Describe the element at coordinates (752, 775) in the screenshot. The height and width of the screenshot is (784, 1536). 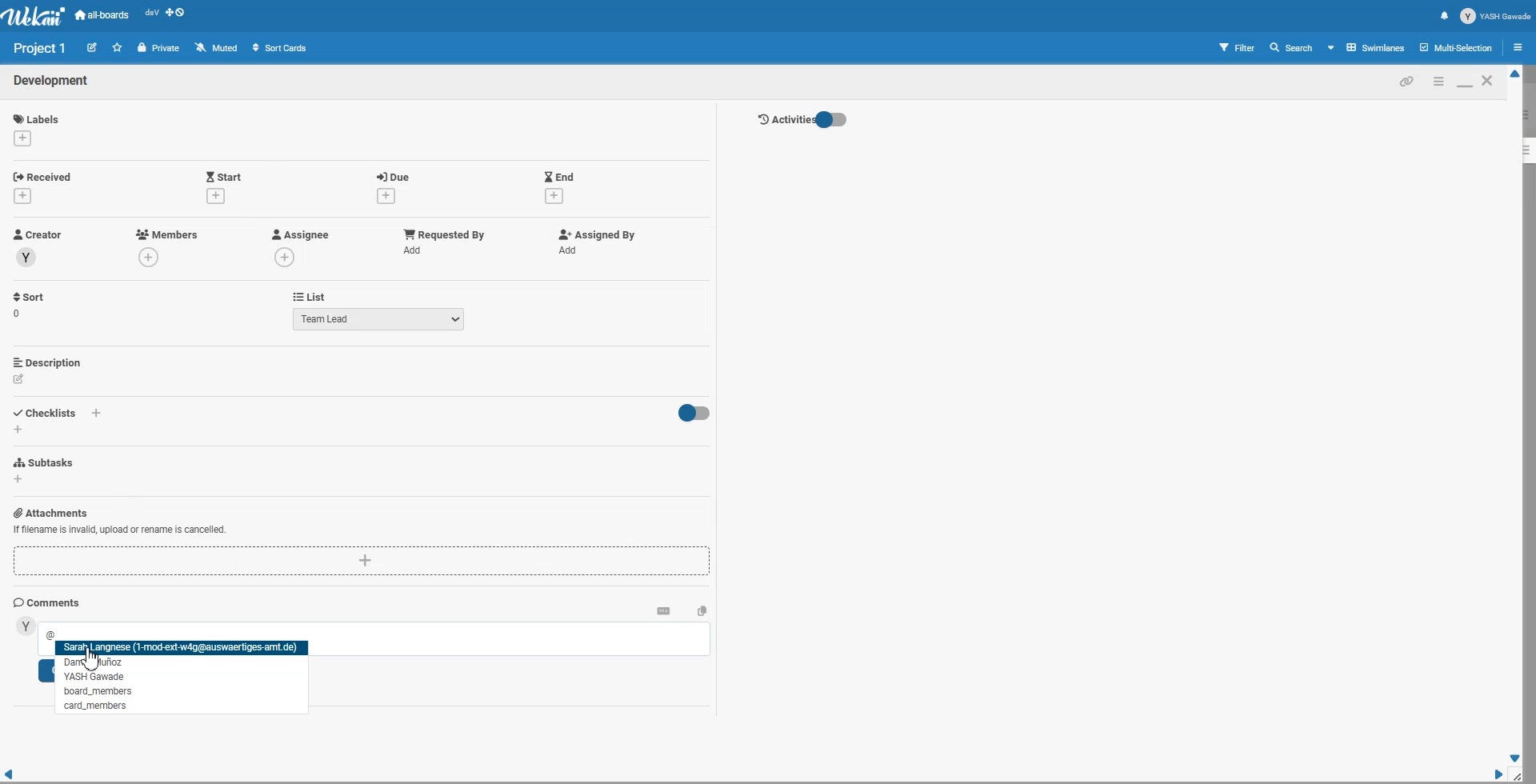
I see `Horizontal Scroll bar` at that location.